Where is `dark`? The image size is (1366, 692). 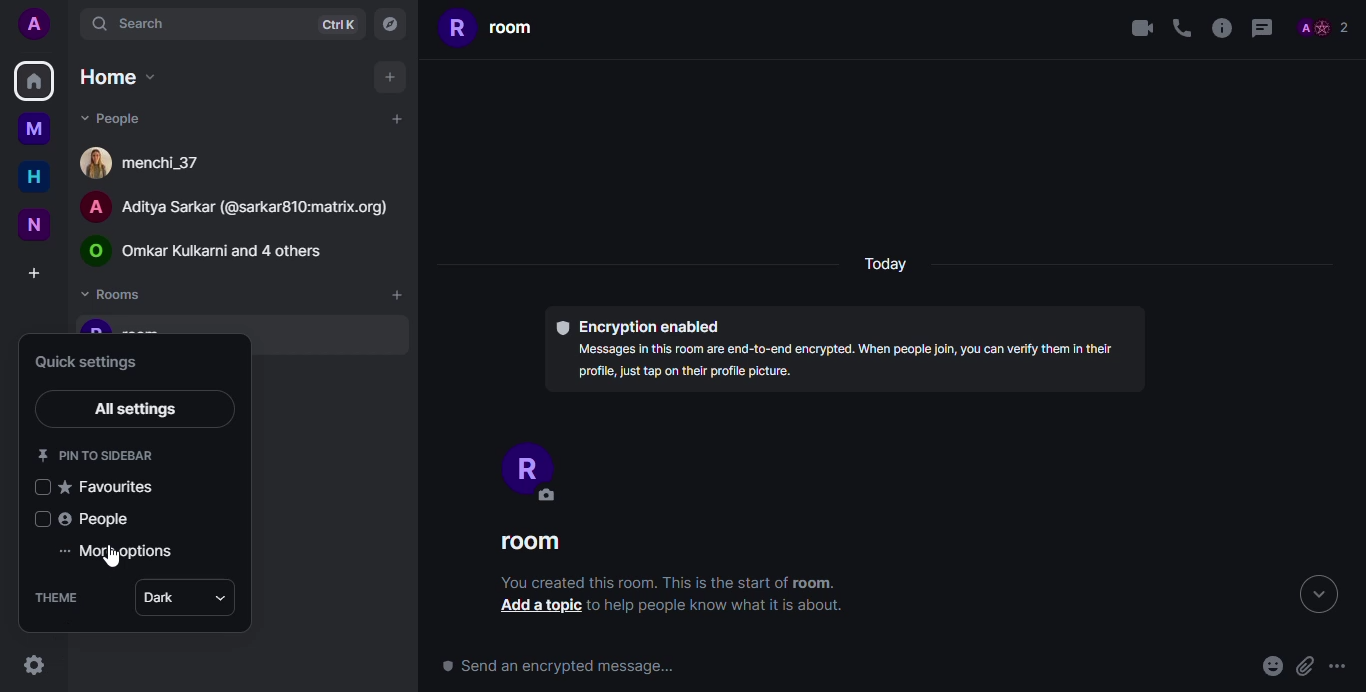
dark is located at coordinates (159, 598).